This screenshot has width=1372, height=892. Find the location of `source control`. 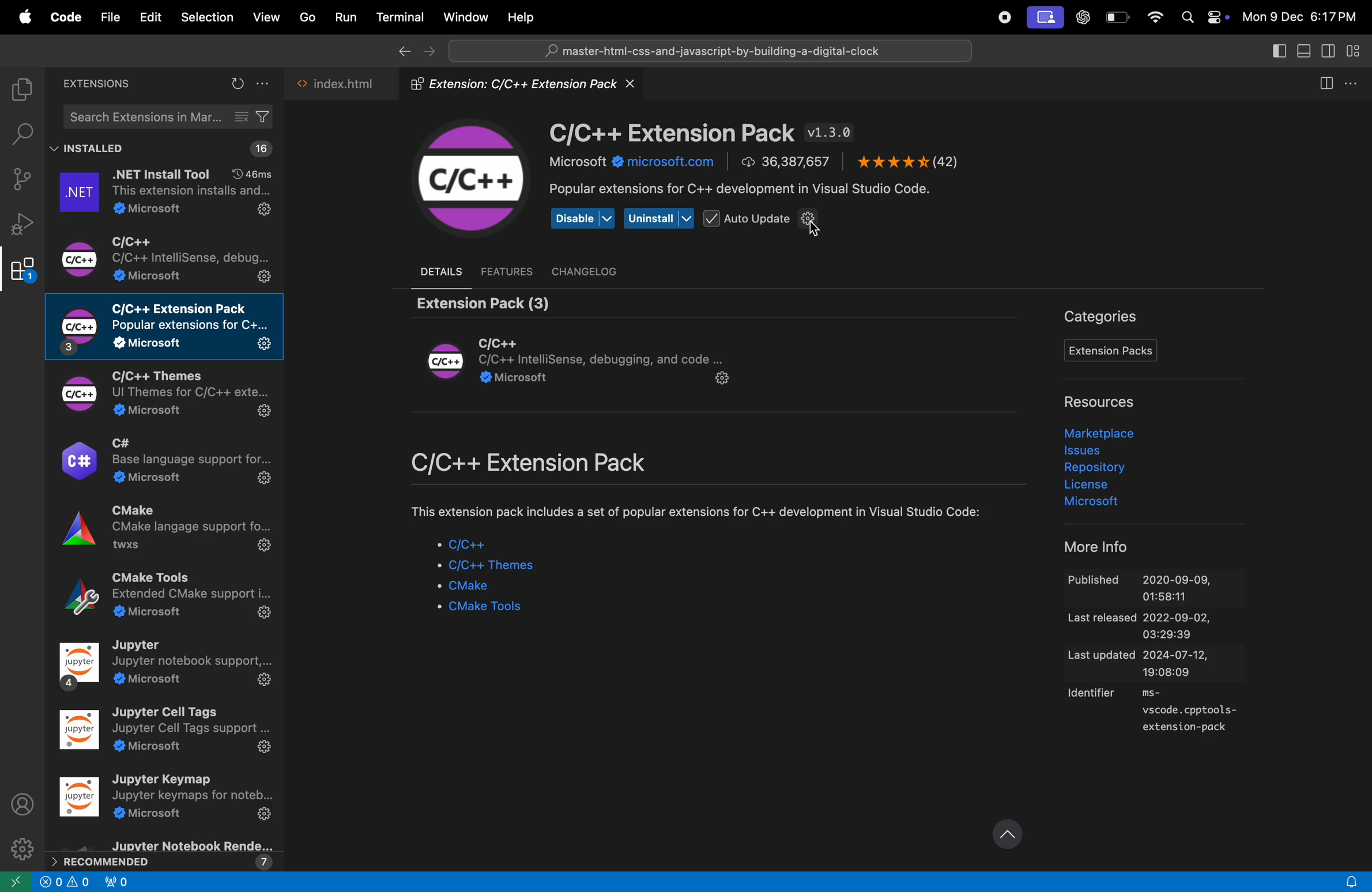

source control is located at coordinates (21, 179).